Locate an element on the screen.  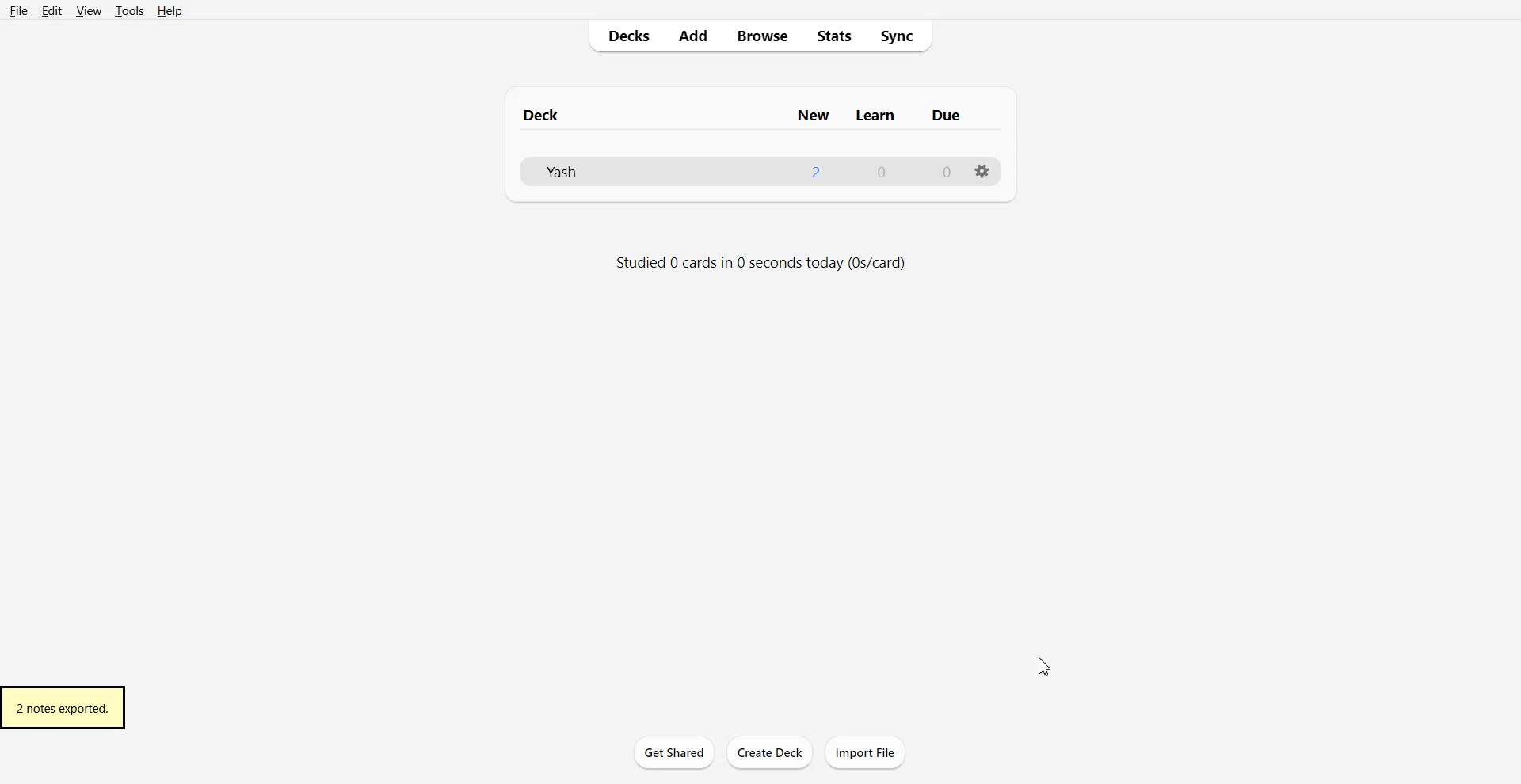
options is located at coordinates (982, 171).